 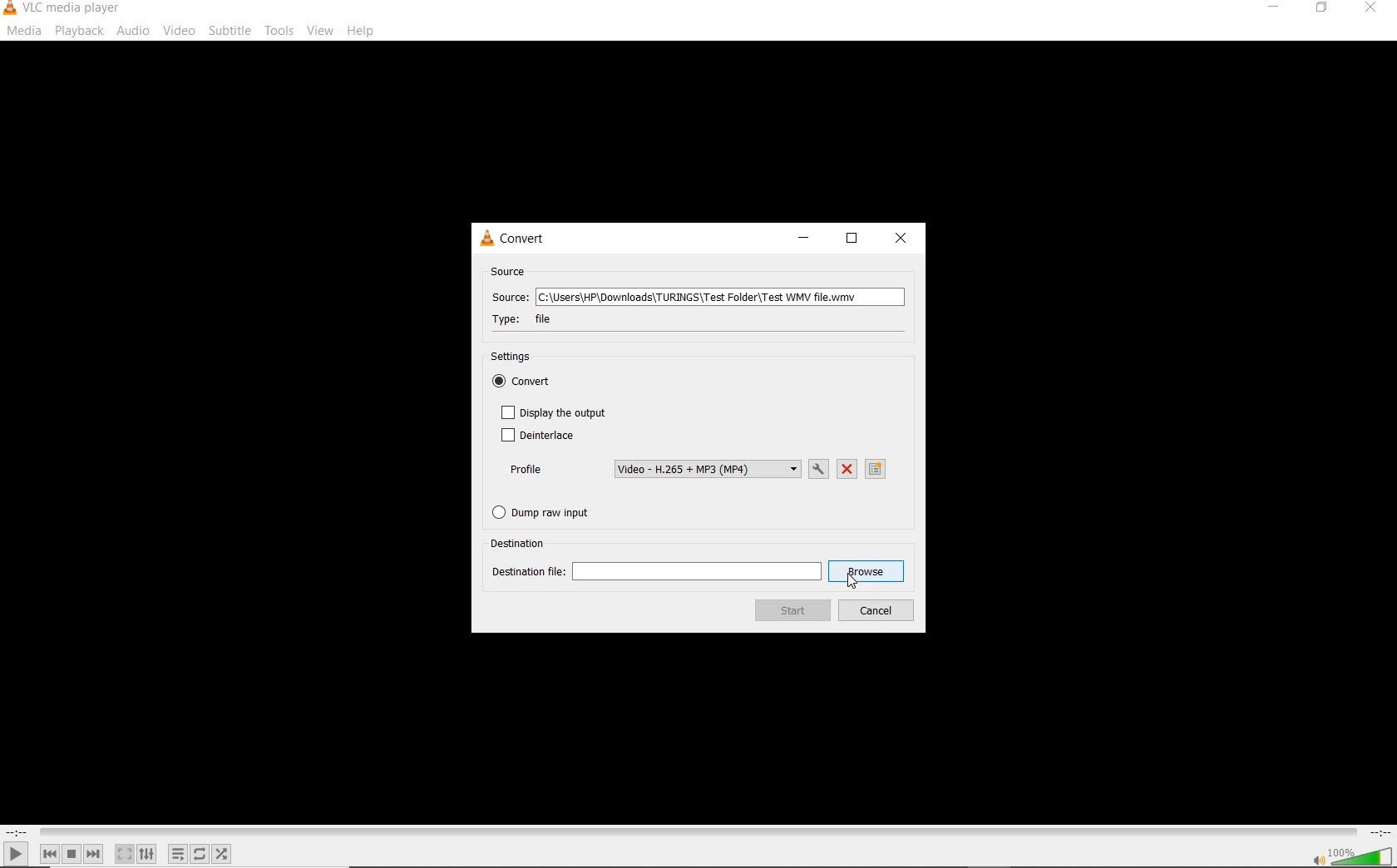 What do you see at coordinates (124, 854) in the screenshot?
I see `toggle the video in fullscreen` at bounding box center [124, 854].